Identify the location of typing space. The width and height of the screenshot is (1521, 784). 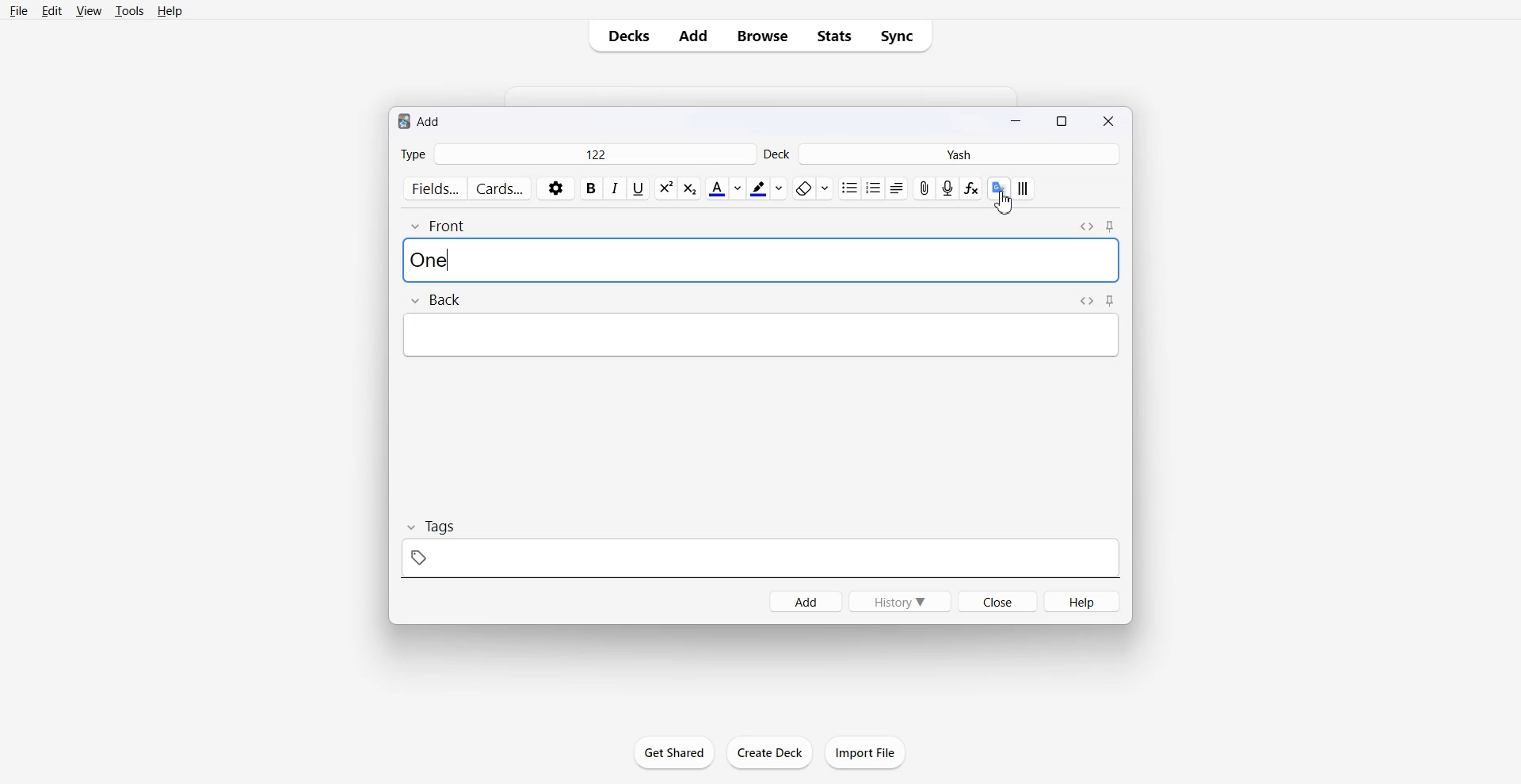
(759, 261).